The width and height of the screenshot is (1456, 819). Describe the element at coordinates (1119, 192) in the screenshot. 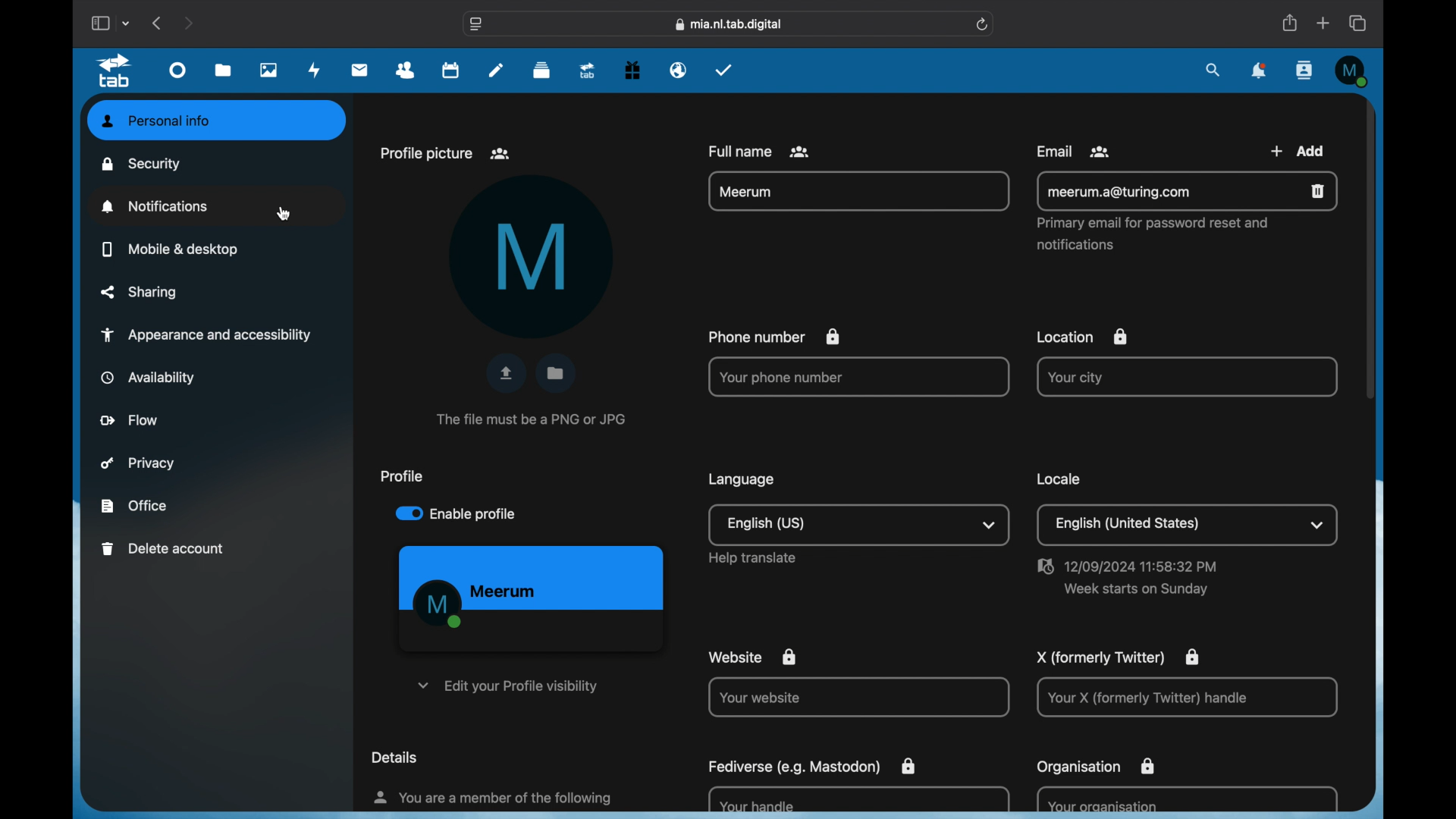

I see `email address` at that location.